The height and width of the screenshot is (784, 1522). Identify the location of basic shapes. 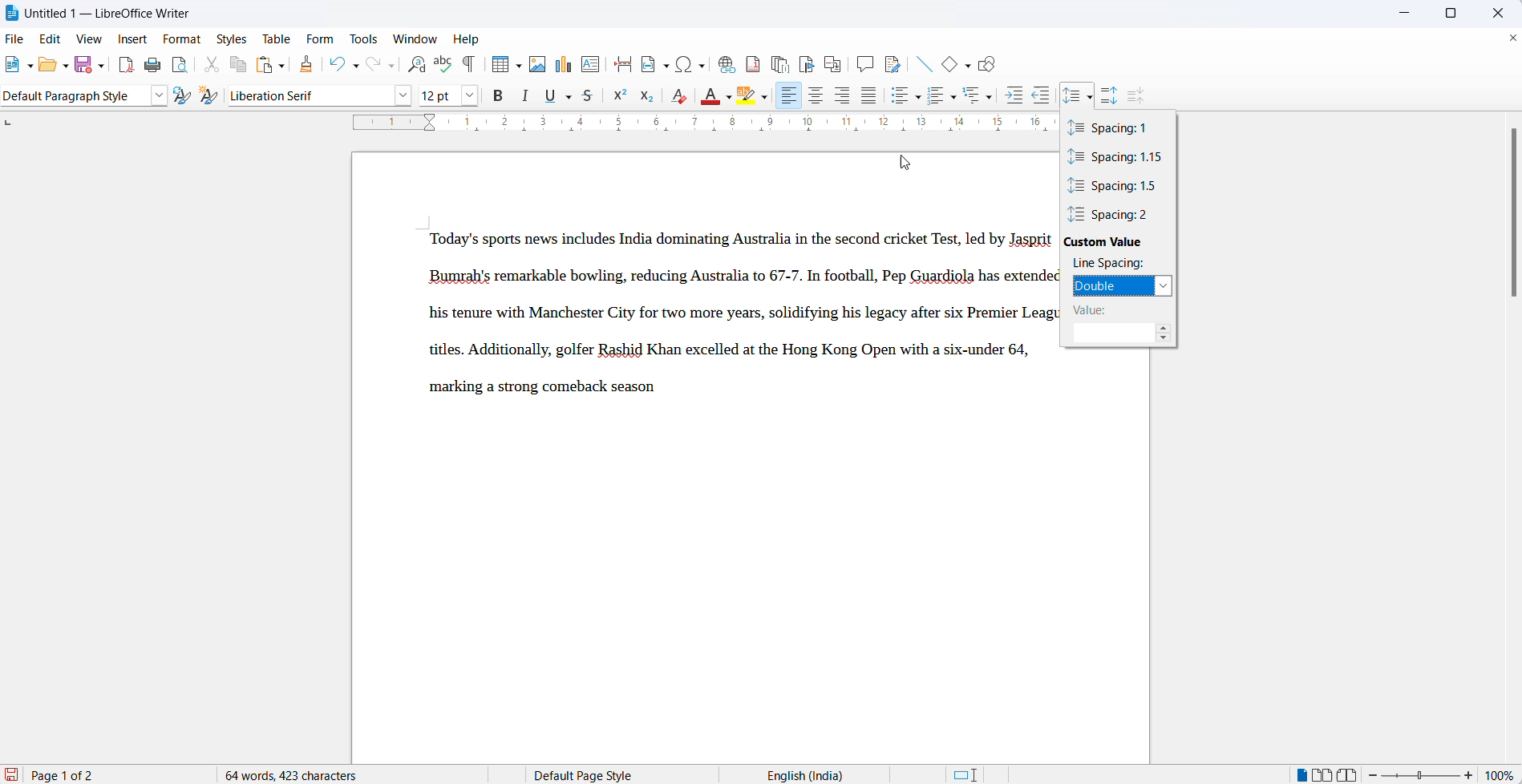
(945, 66).